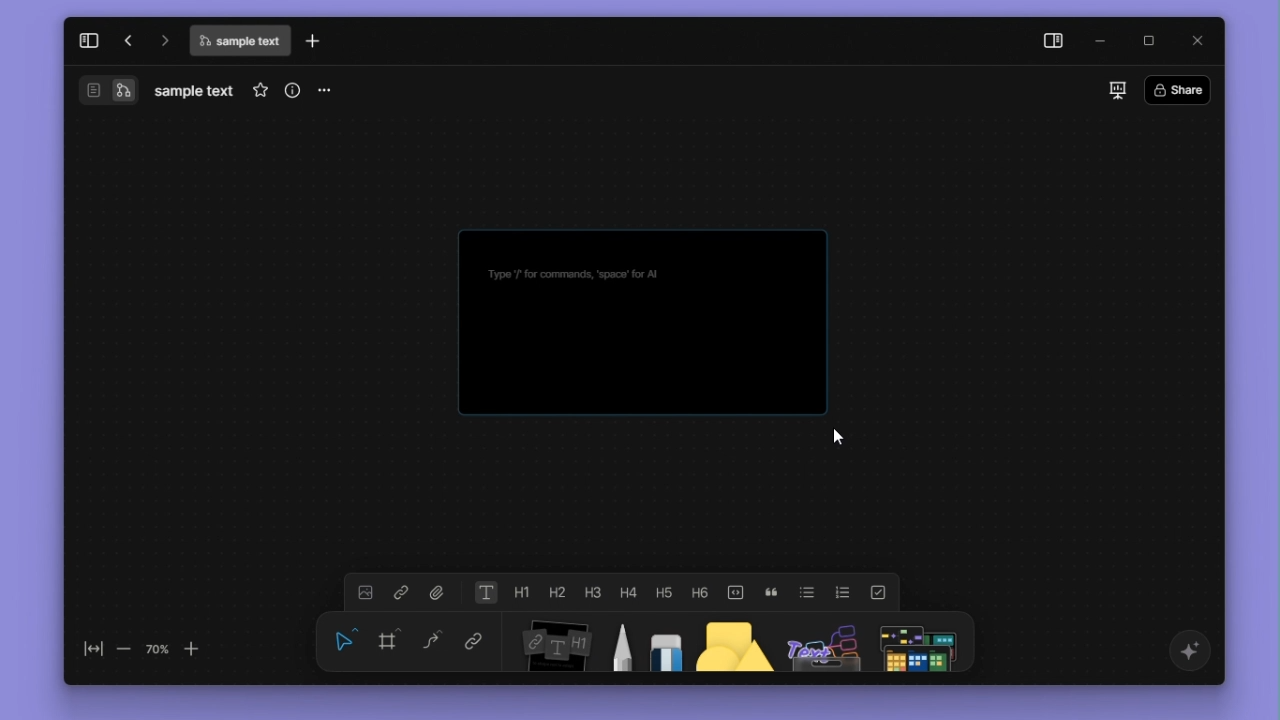 This screenshot has height=720, width=1280. What do you see at coordinates (1187, 651) in the screenshot?
I see `affine ai` at bounding box center [1187, 651].